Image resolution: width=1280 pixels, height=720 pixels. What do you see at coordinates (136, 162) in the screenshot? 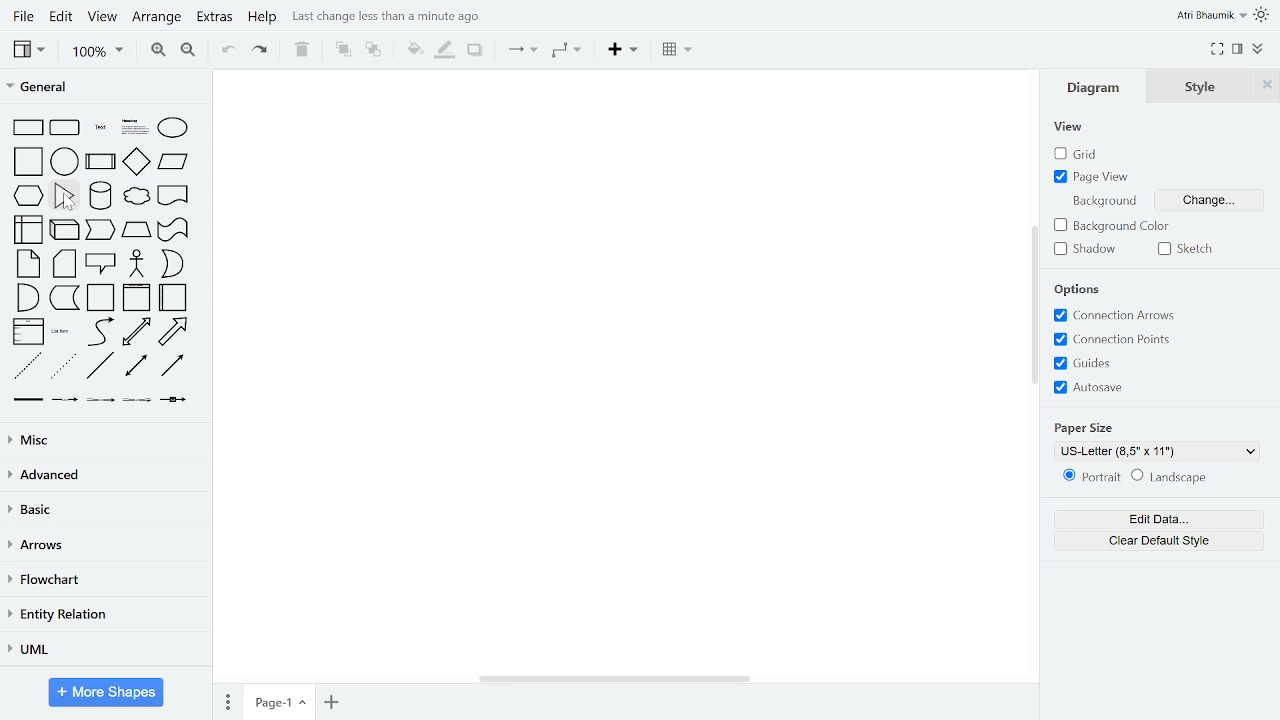
I see `diamond` at bounding box center [136, 162].